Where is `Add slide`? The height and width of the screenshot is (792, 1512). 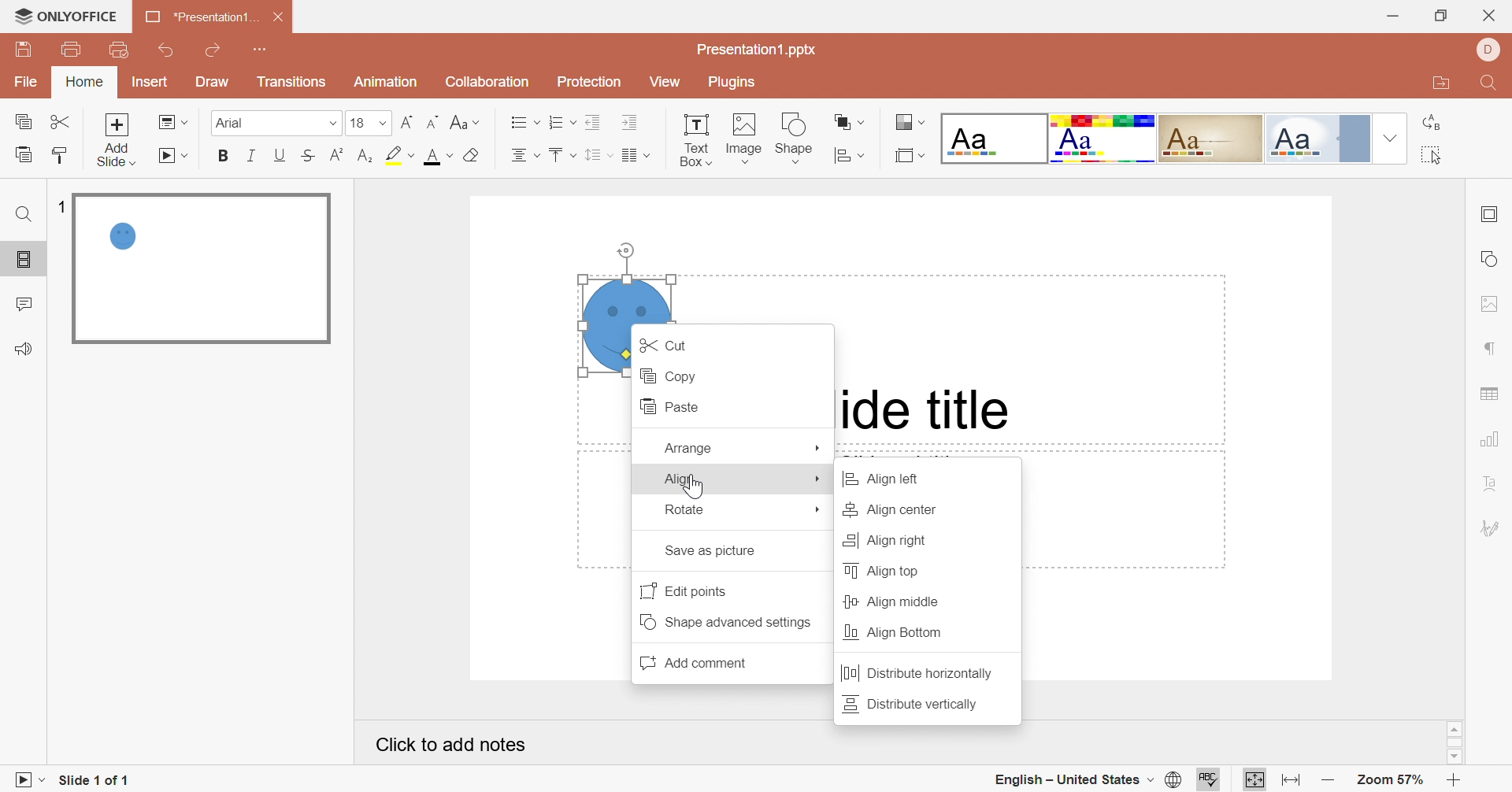
Add slide is located at coordinates (117, 124).